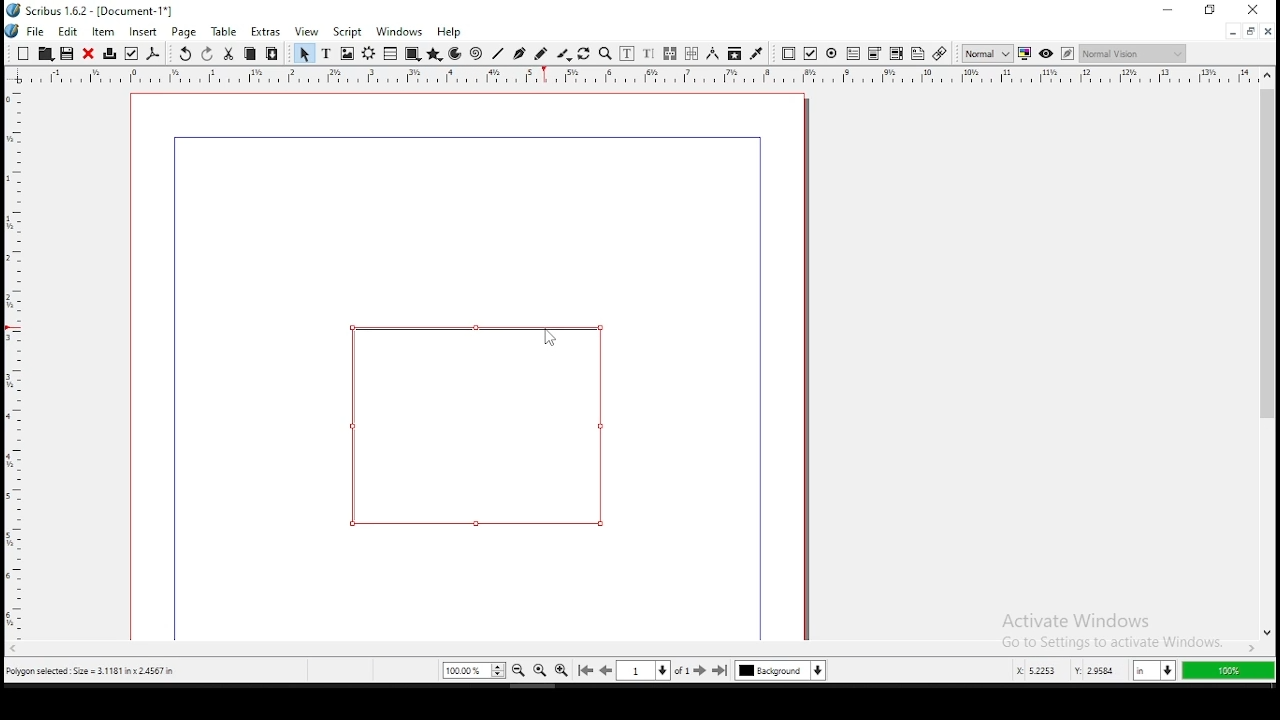 This screenshot has width=1280, height=720. Describe the element at coordinates (88, 54) in the screenshot. I see `close` at that location.